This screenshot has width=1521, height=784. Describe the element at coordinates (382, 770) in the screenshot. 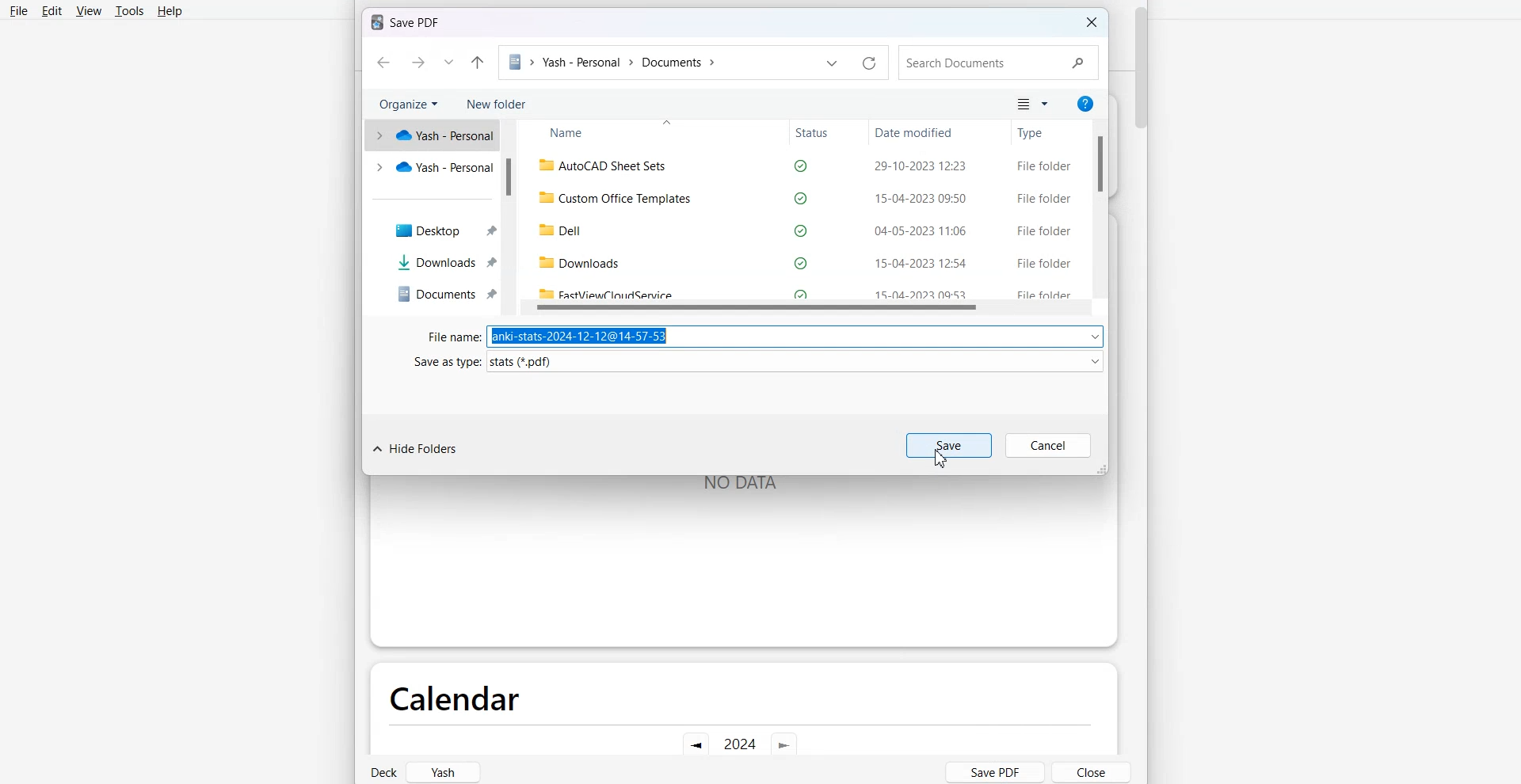

I see `Deck` at that location.